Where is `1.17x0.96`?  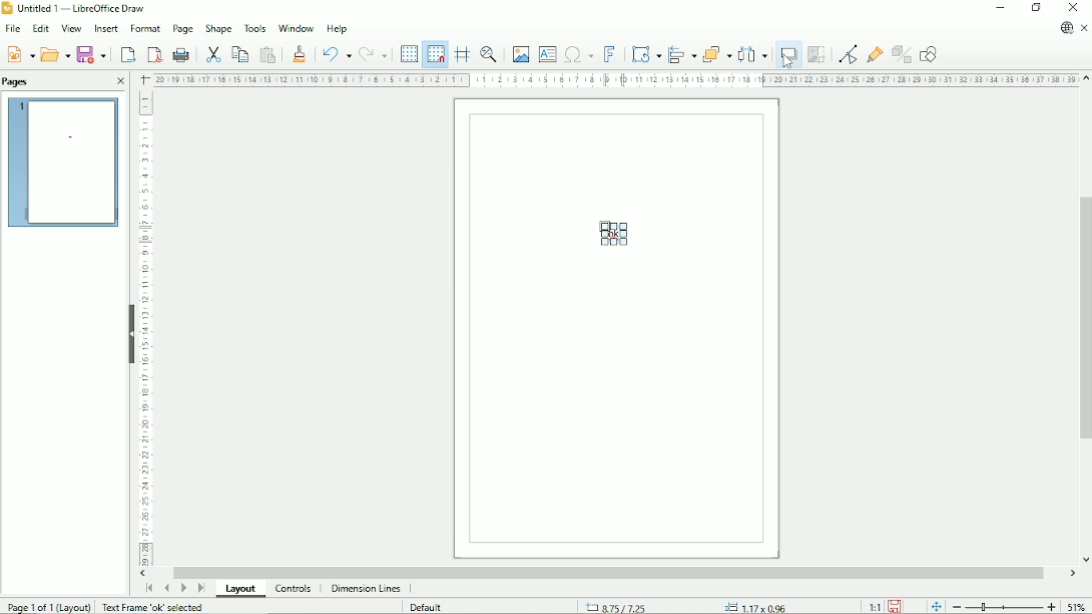
1.17x0.96 is located at coordinates (759, 606).